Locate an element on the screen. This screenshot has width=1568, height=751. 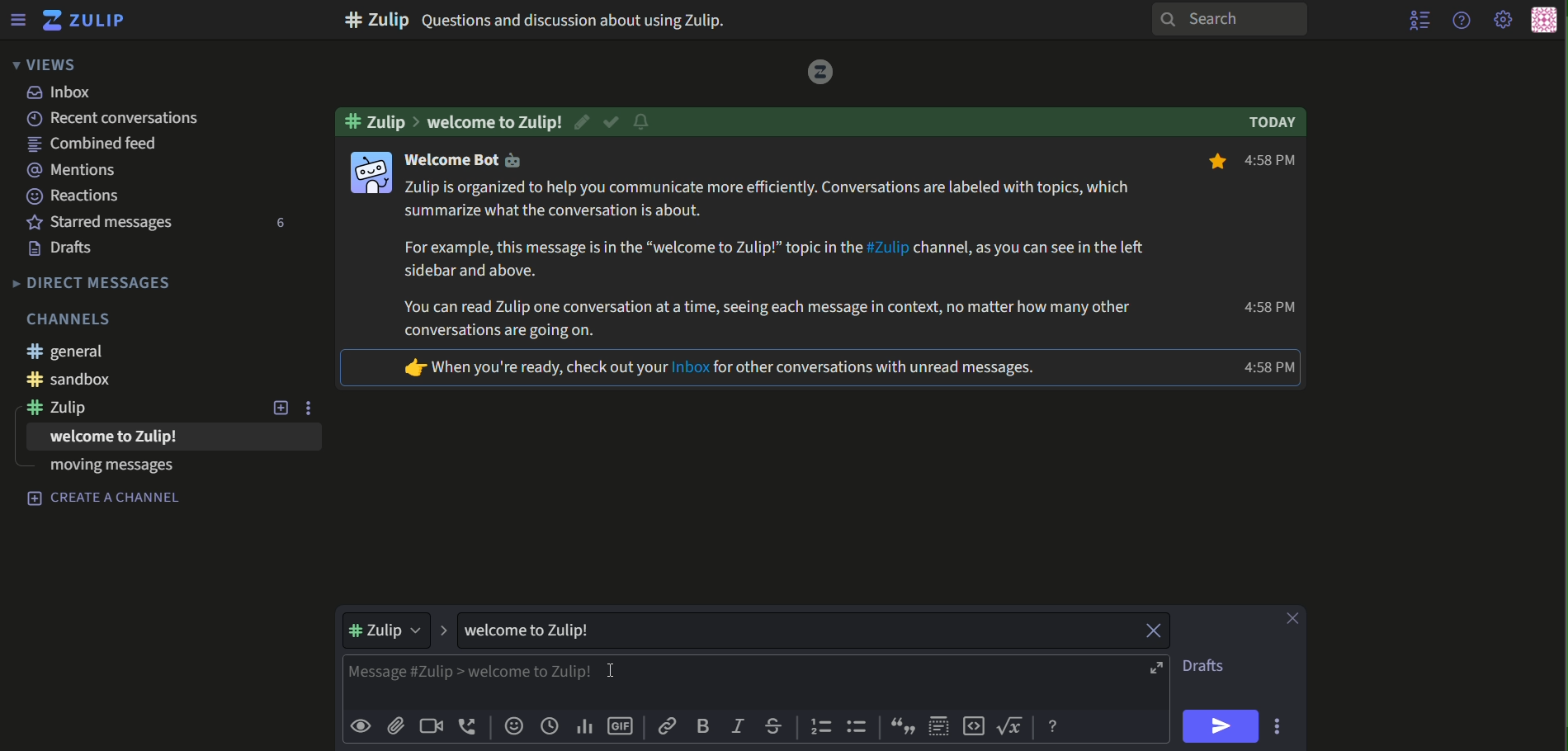
preview is located at coordinates (360, 727).